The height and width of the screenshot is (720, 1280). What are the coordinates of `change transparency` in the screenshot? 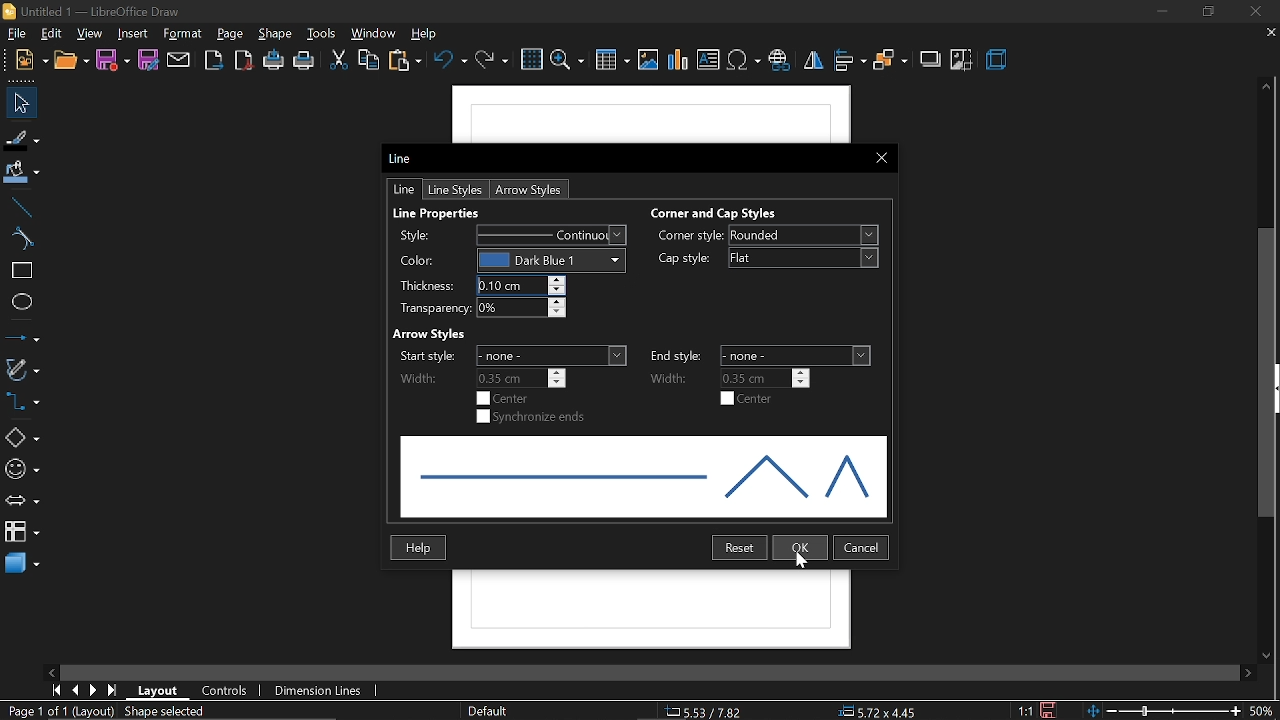 It's located at (520, 309).